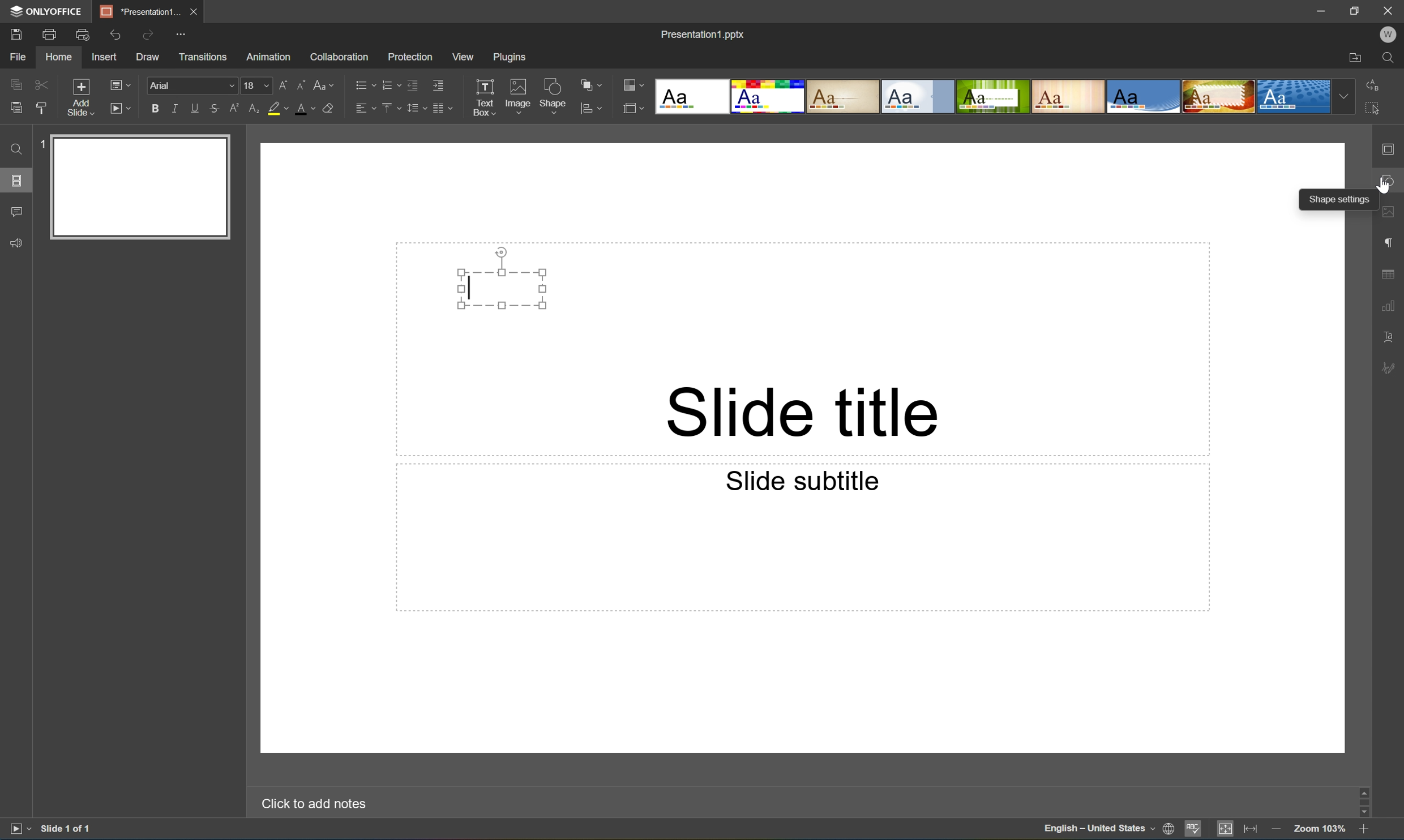 This screenshot has width=1404, height=840. I want to click on Paste, so click(13, 108).